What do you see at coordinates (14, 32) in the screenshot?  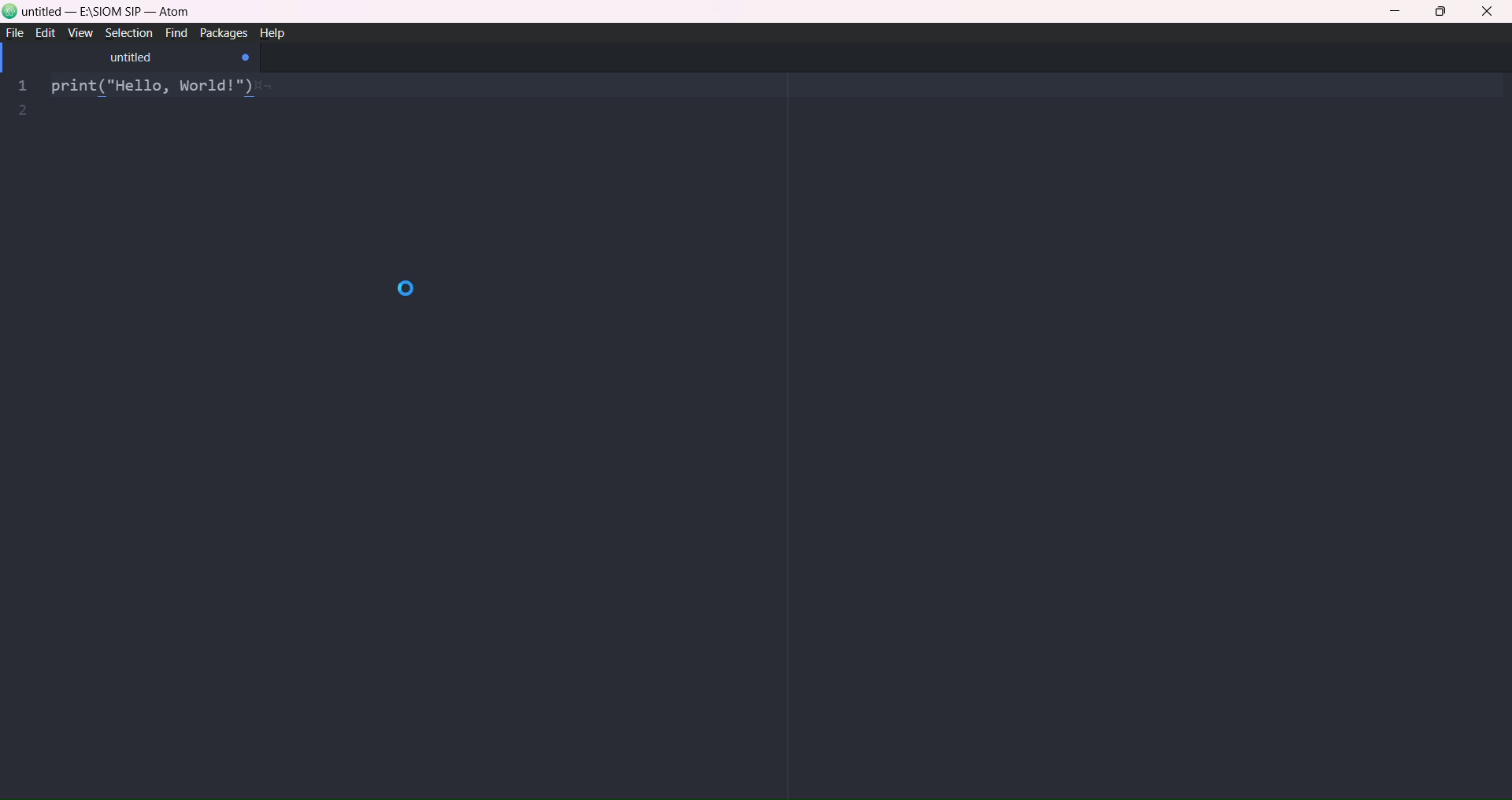 I see `file` at bounding box center [14, 32].